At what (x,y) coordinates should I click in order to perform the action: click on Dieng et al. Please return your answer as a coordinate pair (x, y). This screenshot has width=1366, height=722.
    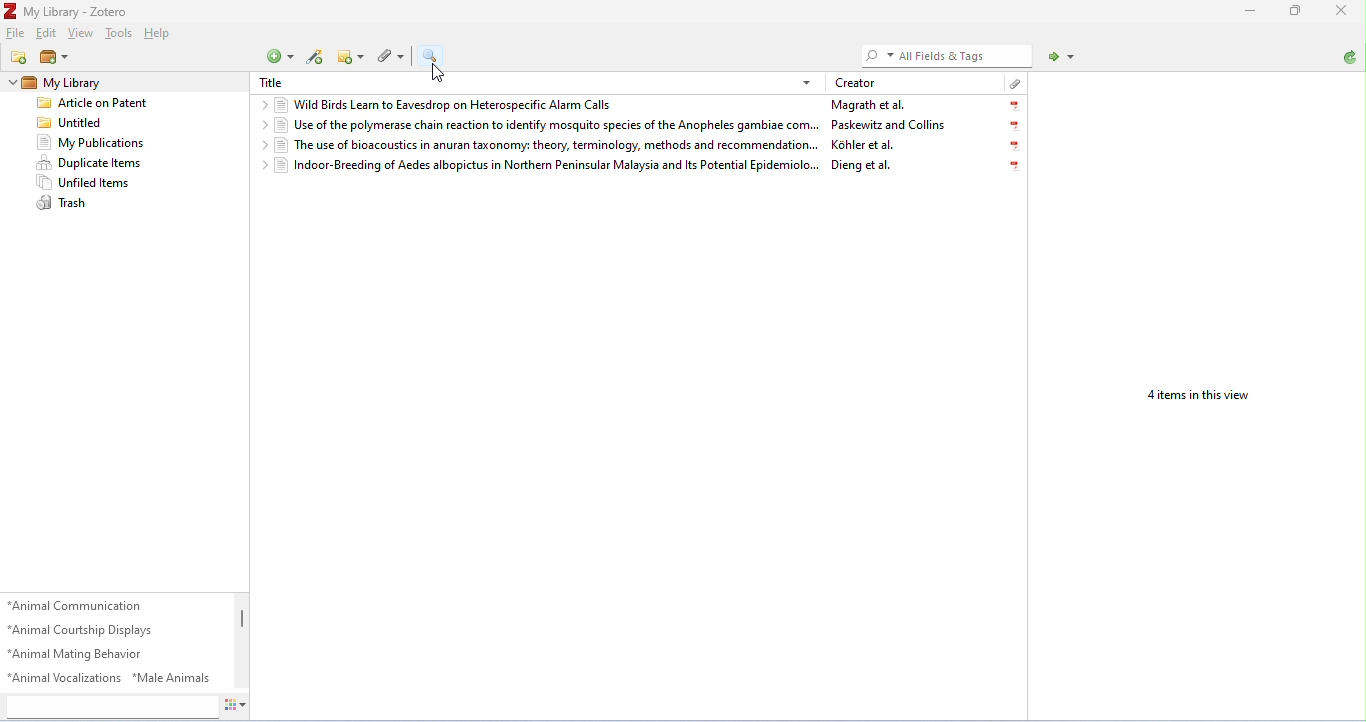
    Looking at the image, I should click on (859, 165).